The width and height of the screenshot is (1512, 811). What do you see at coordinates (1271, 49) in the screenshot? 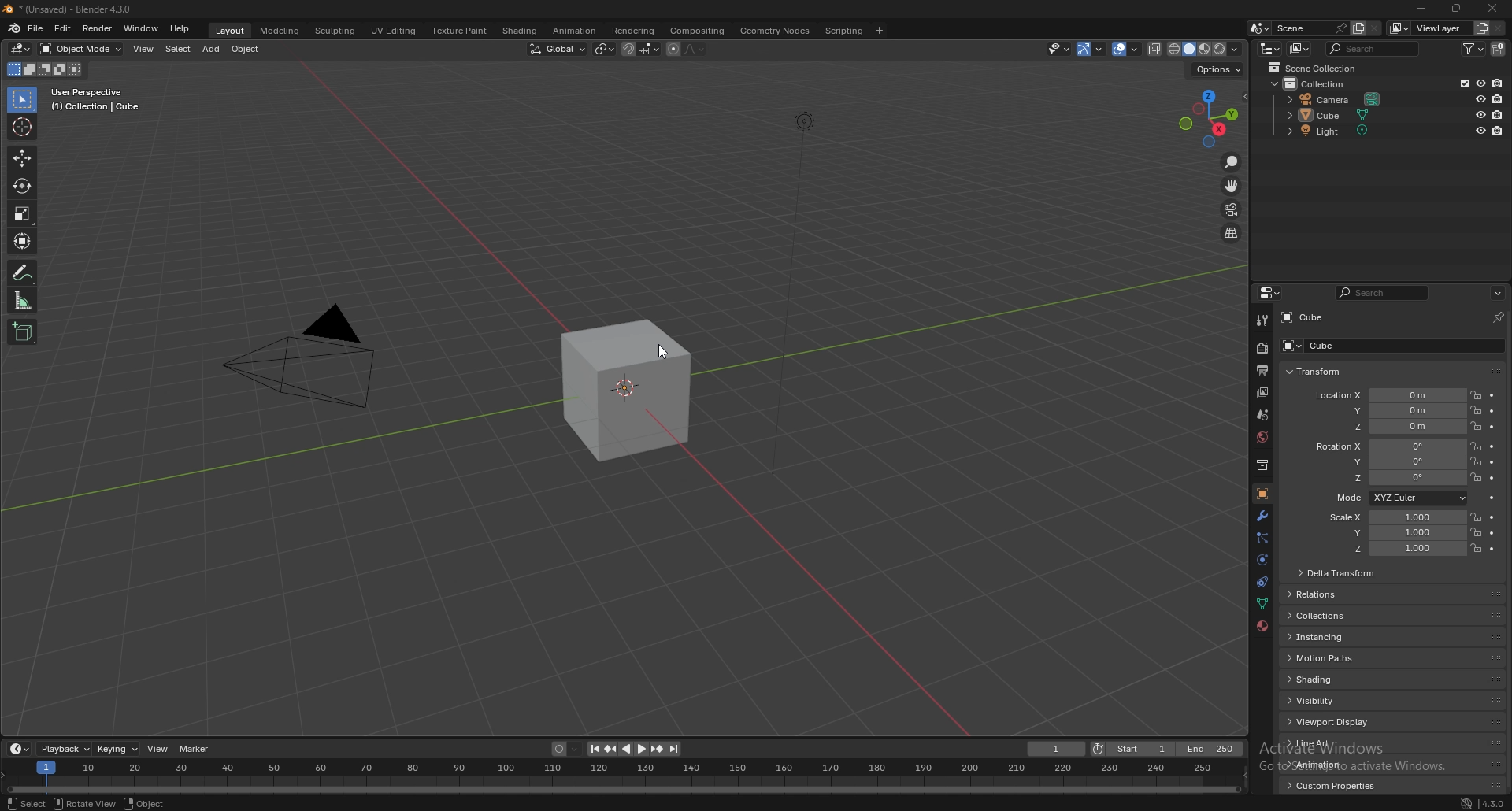
I see `editor type` at bounding box center [1271, 49].